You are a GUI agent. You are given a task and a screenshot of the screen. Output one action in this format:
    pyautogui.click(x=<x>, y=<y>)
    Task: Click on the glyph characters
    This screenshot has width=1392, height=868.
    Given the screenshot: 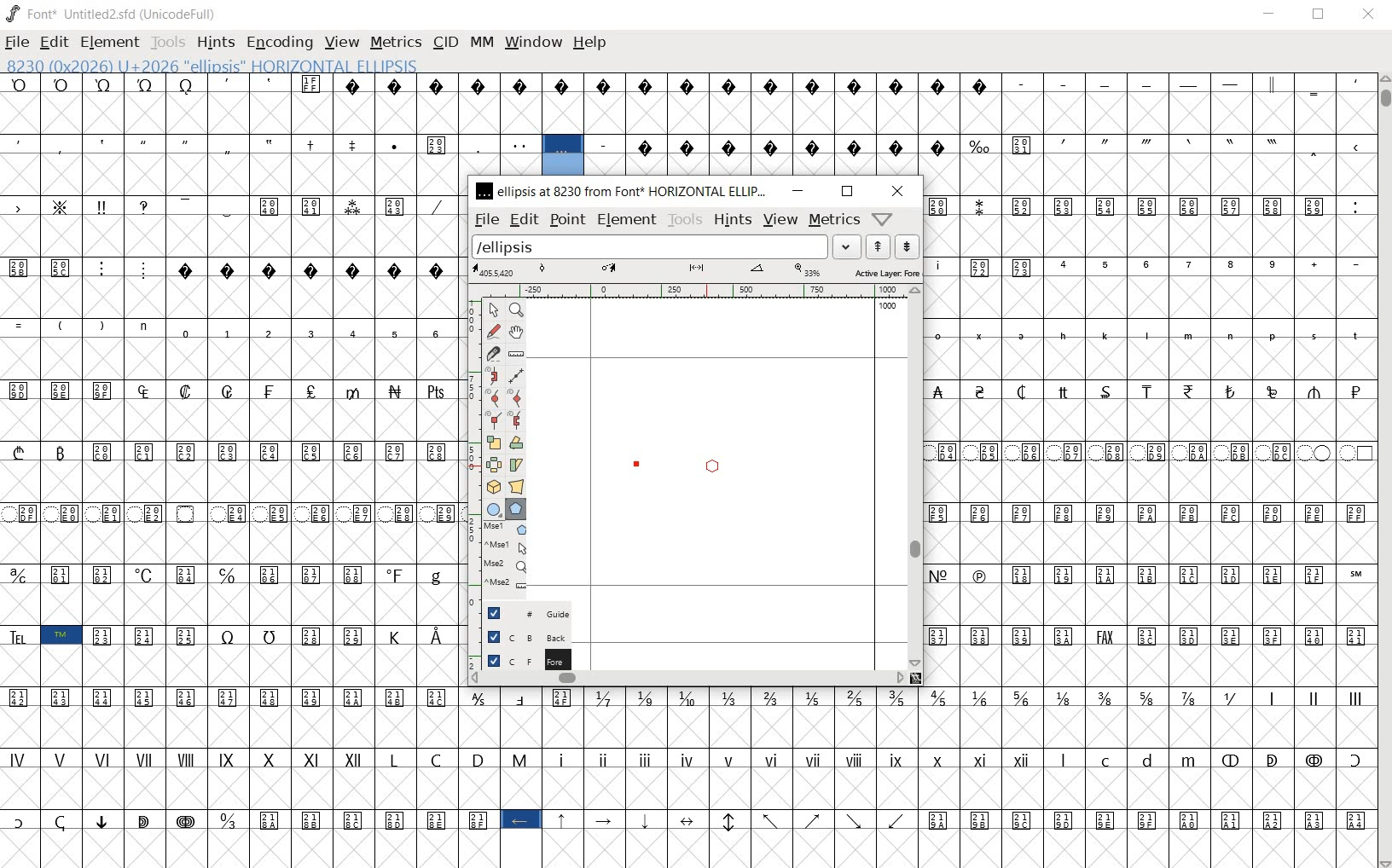 What is the action you would take?
    pyautogui.click(x=1000, y=124)
    